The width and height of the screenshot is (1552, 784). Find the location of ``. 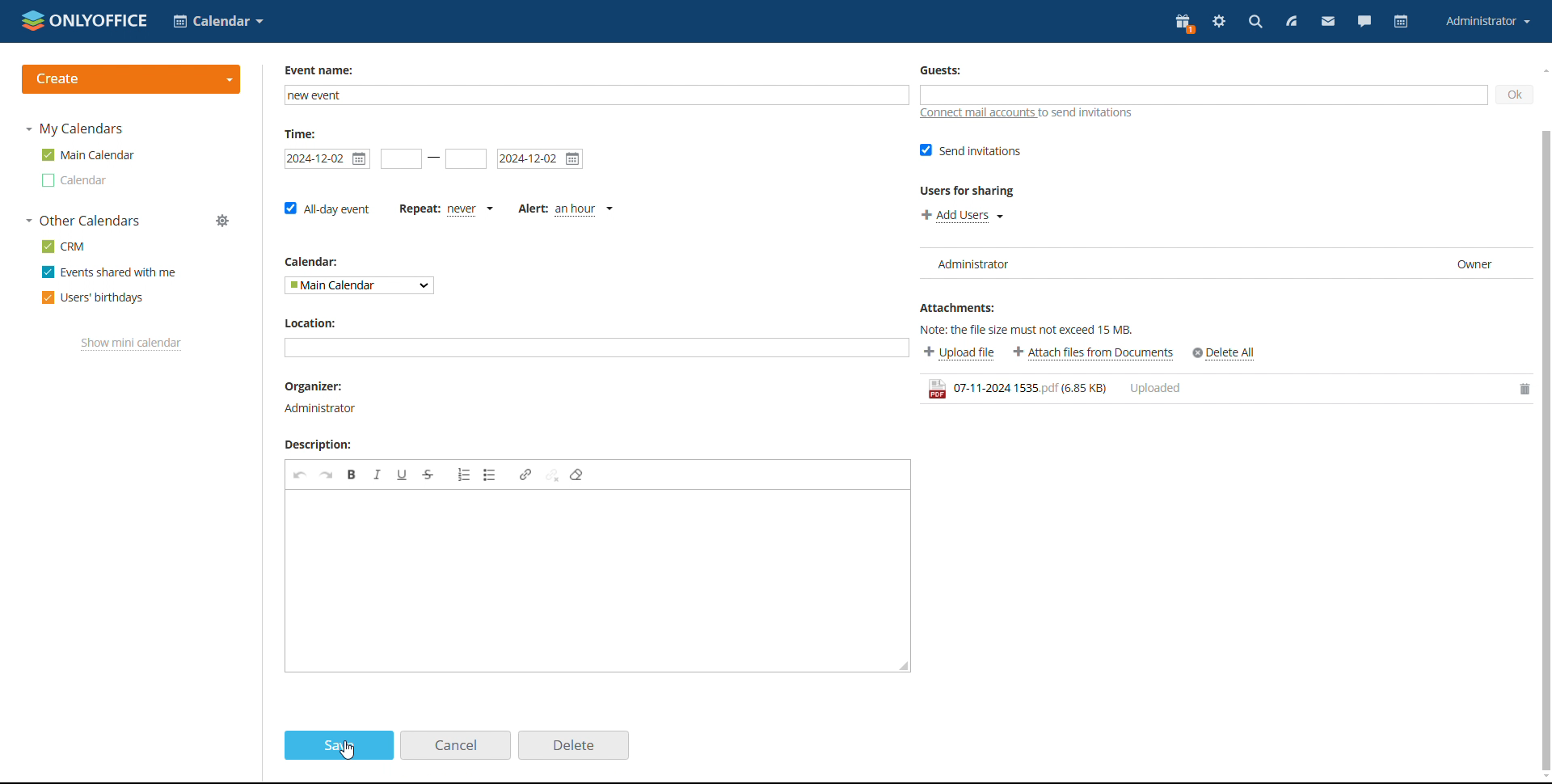

 is located at coordinates (1541, 776).